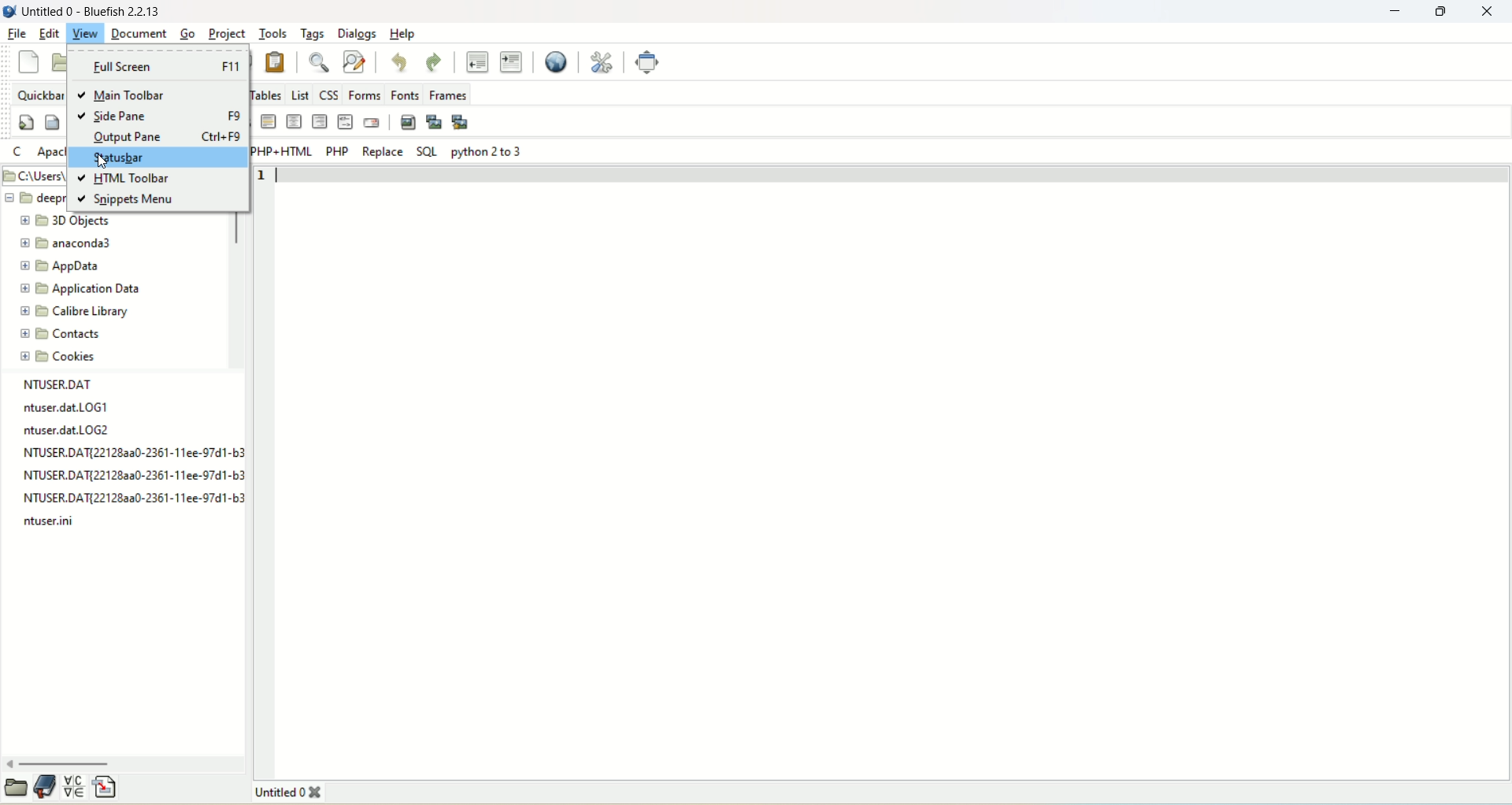  I want to click on maximize, so click(1443, 12).